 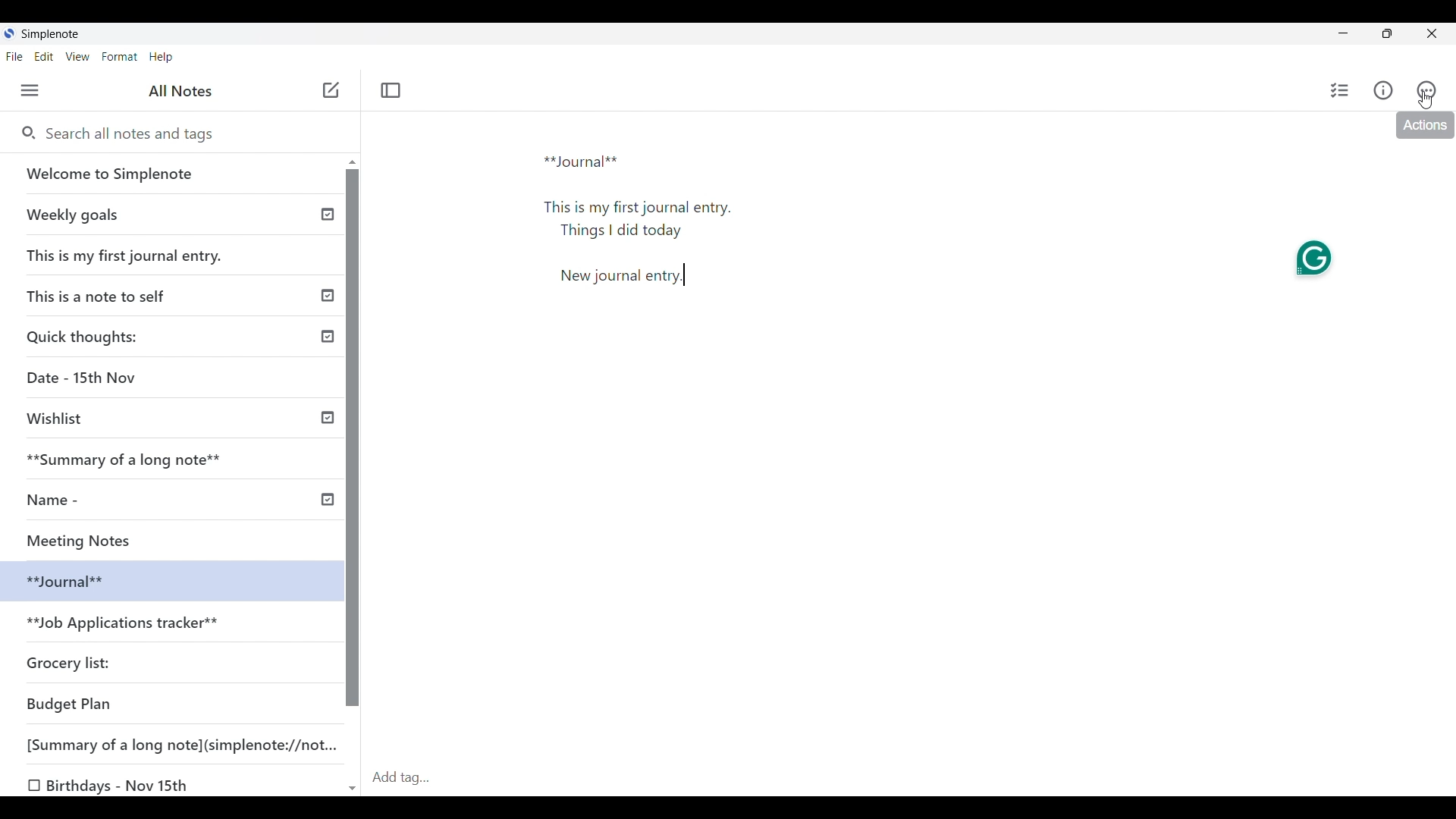 What do you see at coordinates (1382, 89) in the screenshot?
I see `Info` at bounding box center [1382, 89].